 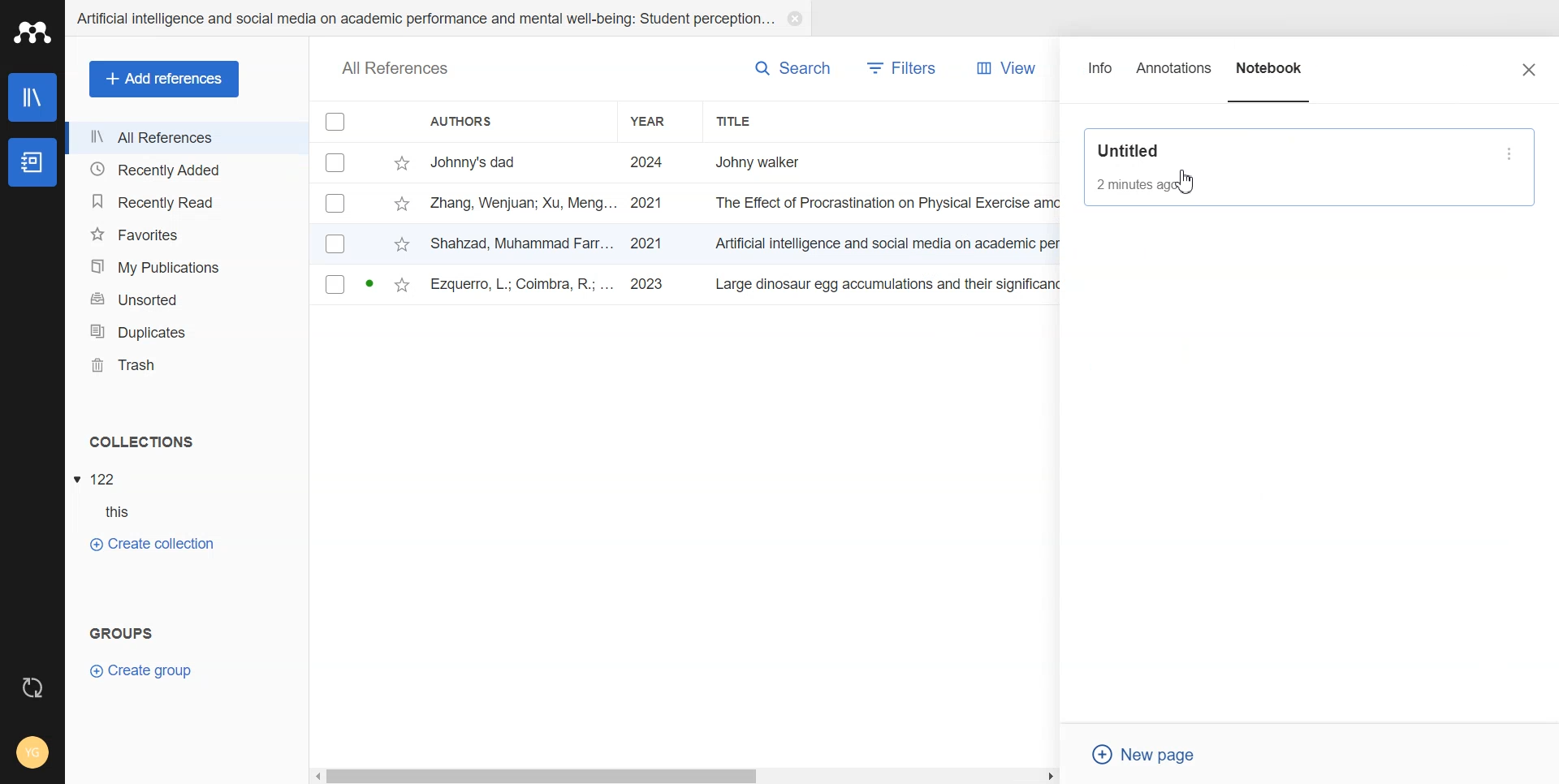 I want to click on Title, so click(x=767, y=121).